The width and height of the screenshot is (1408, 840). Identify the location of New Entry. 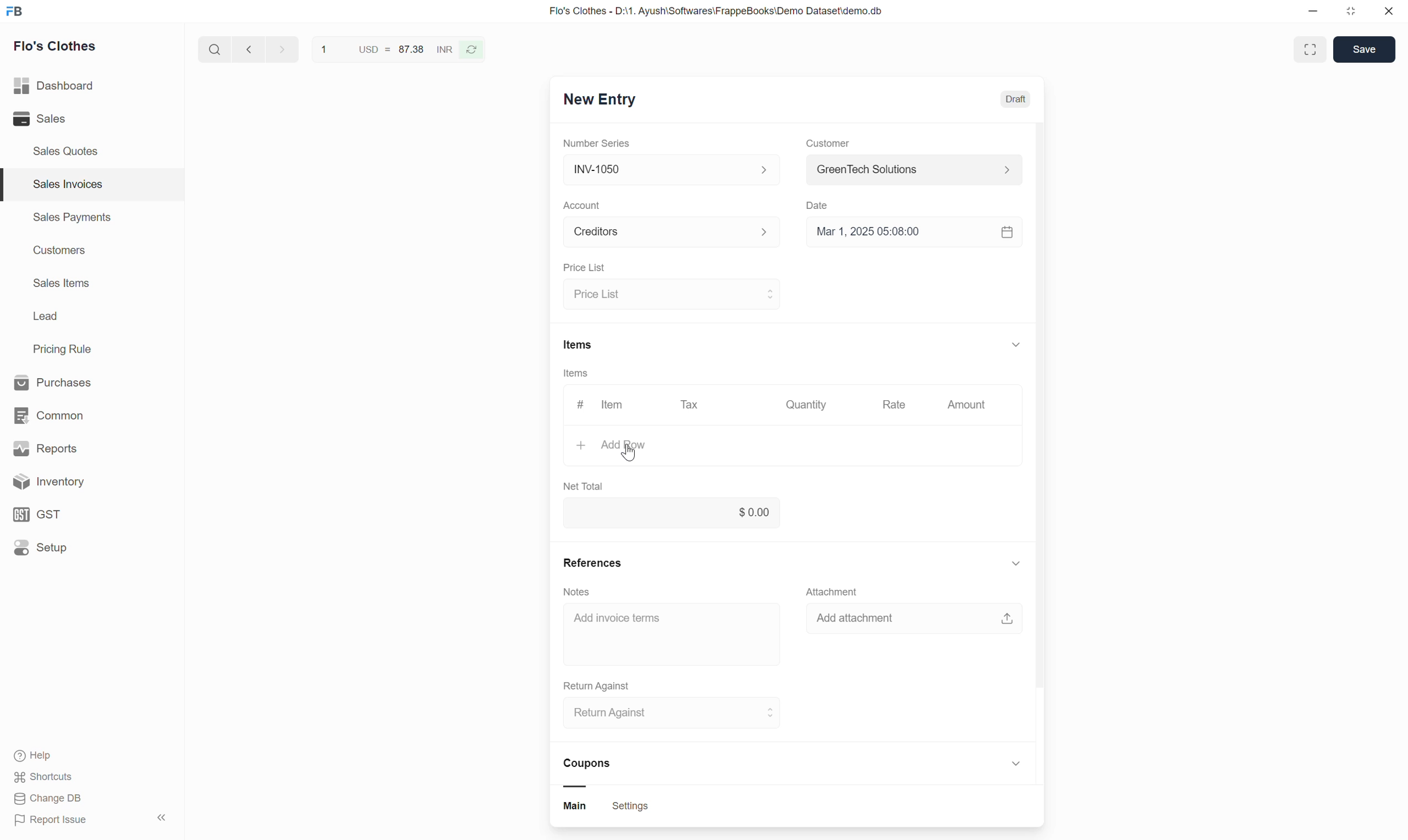
(609, 100).